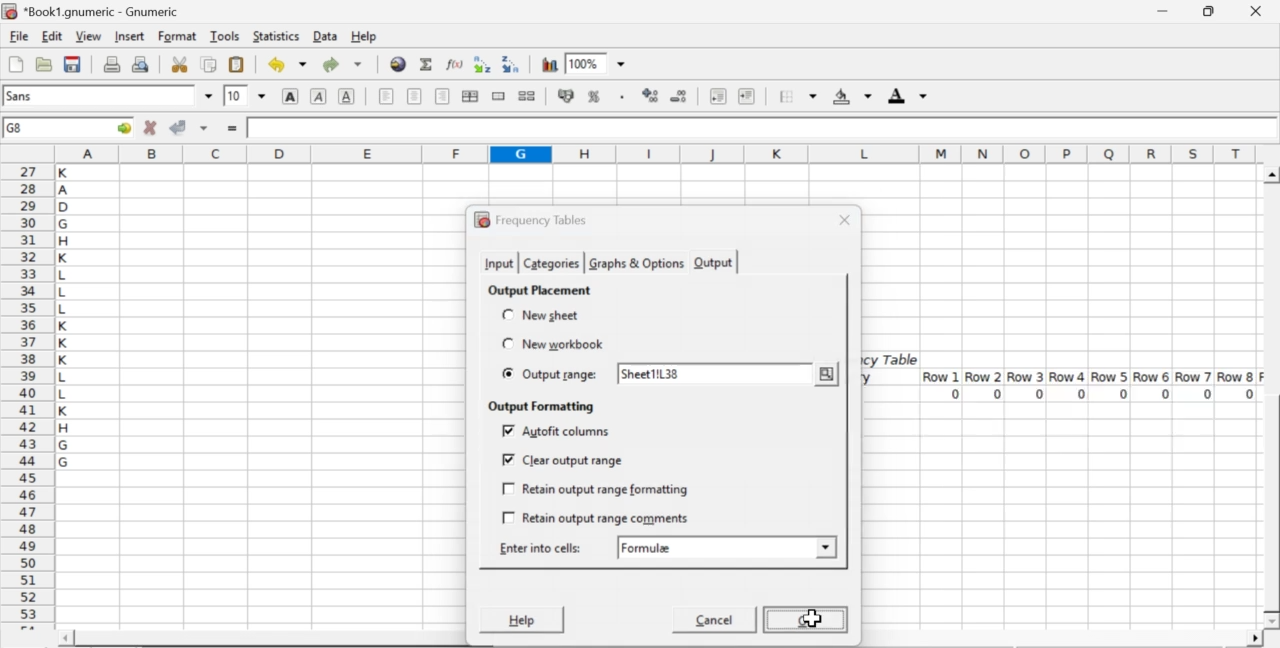 The image size is (1280, 648). What do you see at coordinates (65, 393) in the screenshot?
I see `alphabets` at bounding box center [65, 393].